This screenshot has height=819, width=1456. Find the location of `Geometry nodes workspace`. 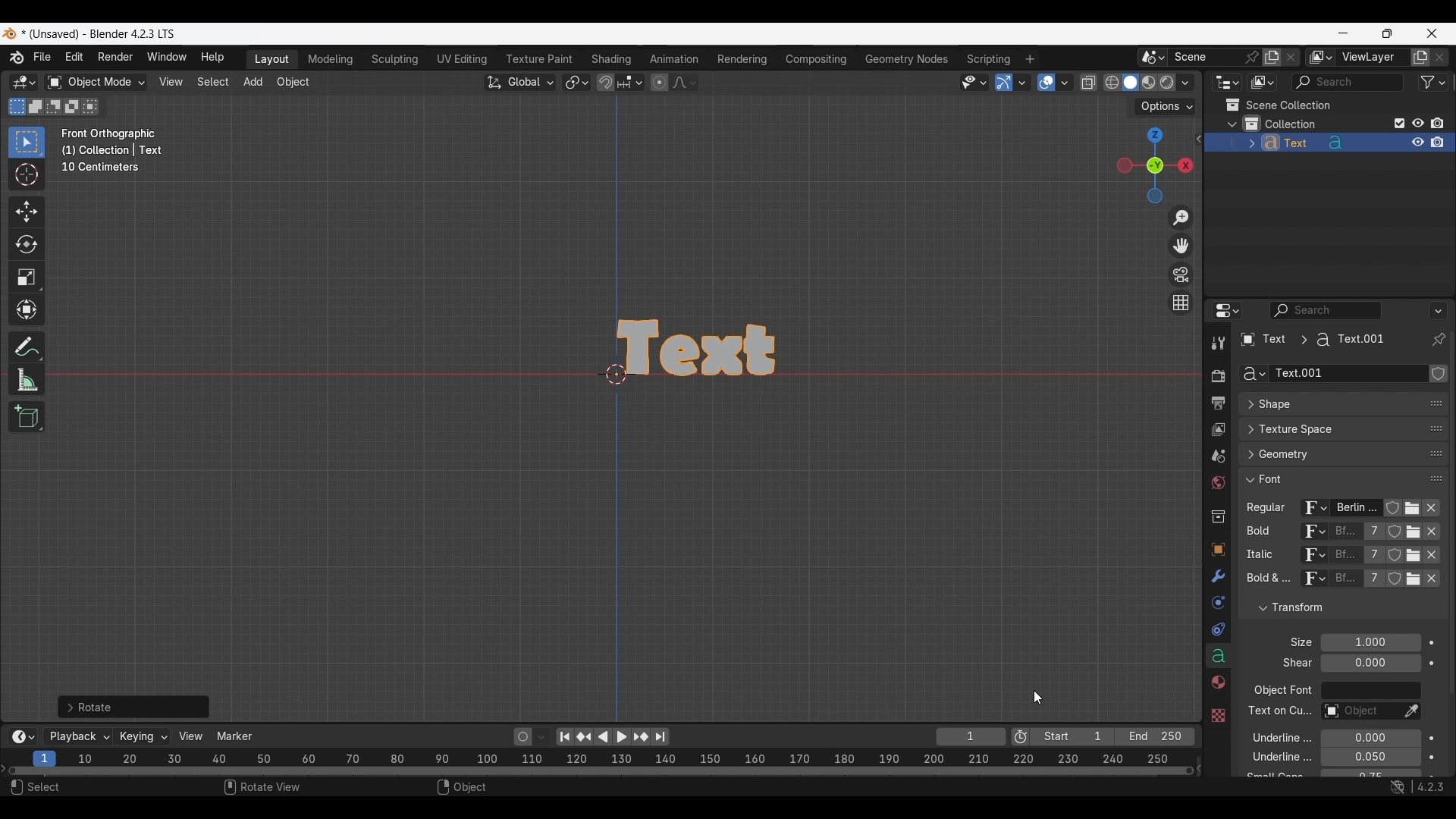

Geometry nodes workspace is located at coordinates (906, 58).